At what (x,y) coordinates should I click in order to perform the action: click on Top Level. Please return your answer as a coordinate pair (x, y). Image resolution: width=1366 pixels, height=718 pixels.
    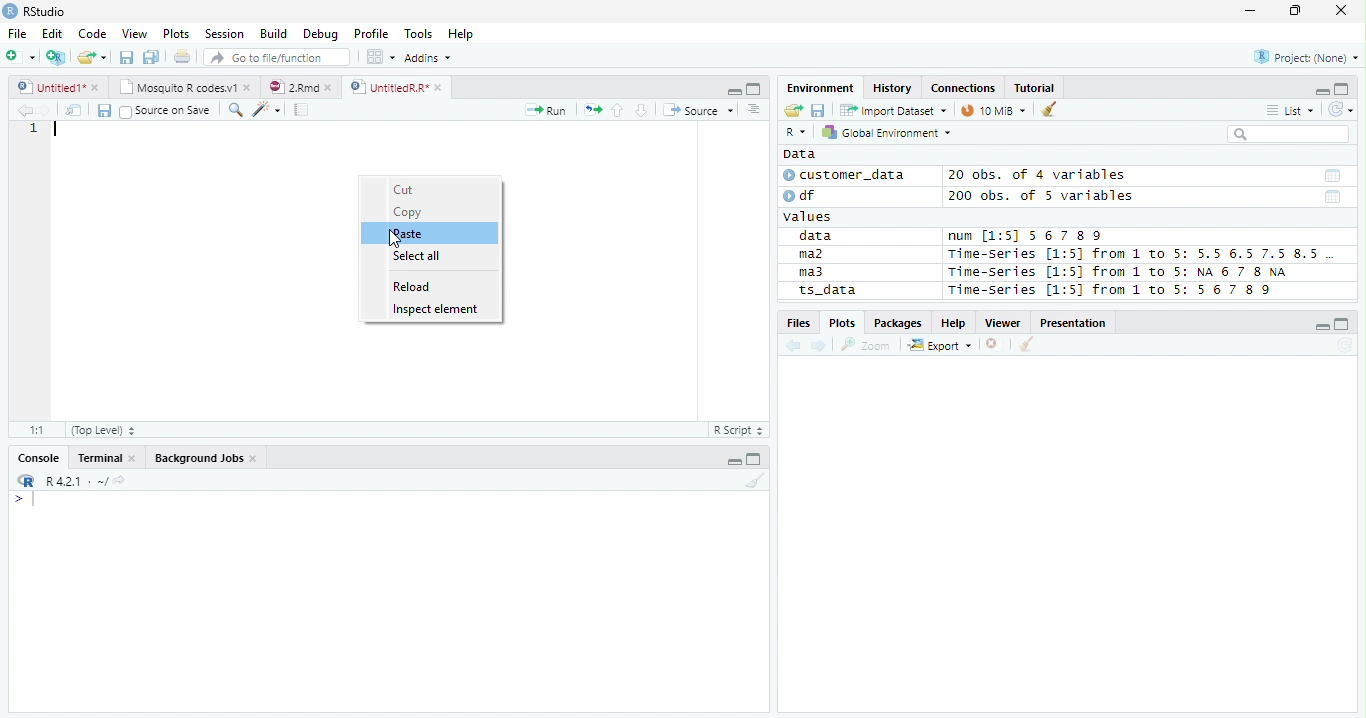
    Looking at the image, I should click on (101, 431).